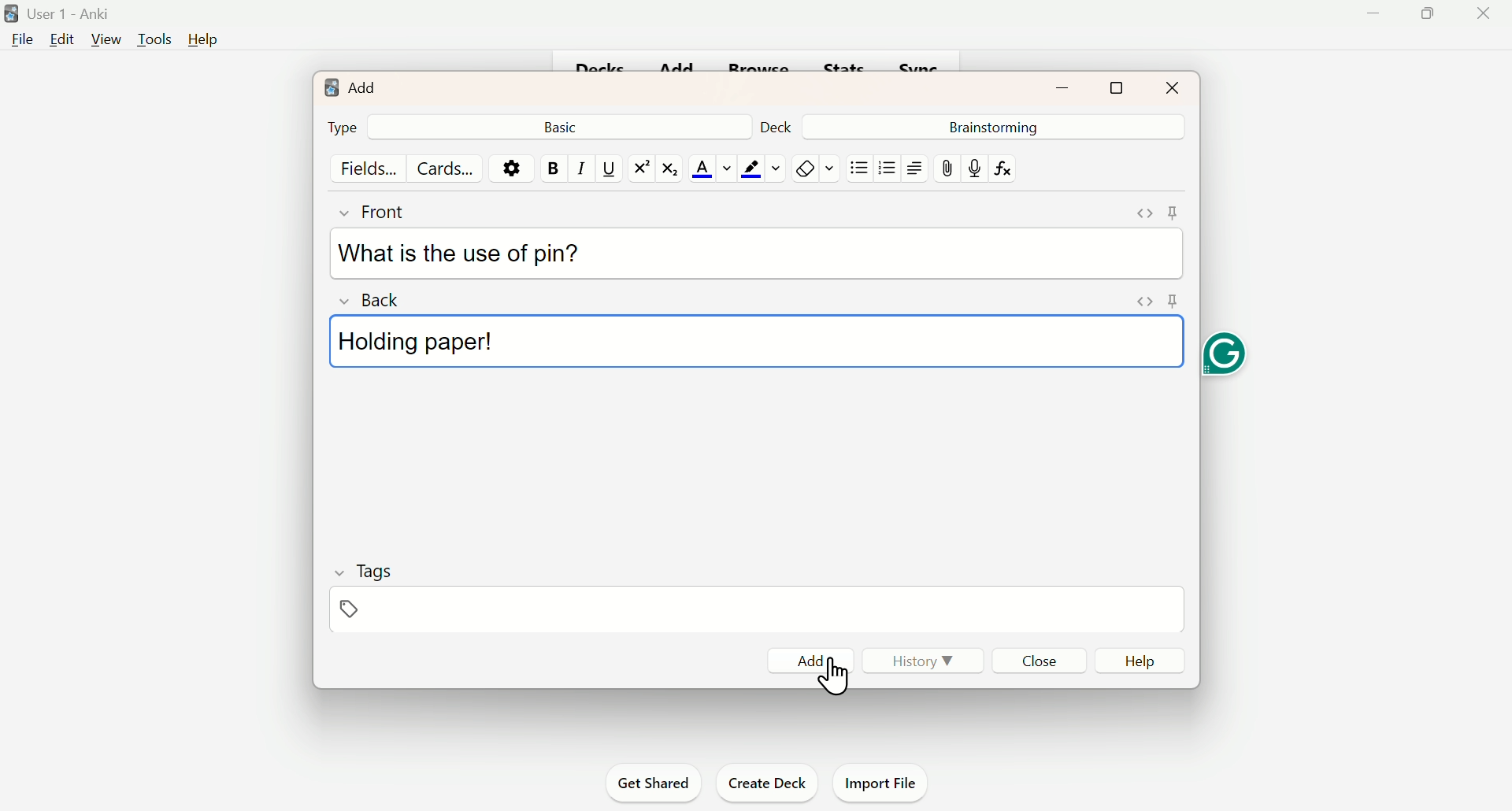  Describe the element at coordinates (458, 254) in the screenshot. I see `What is the use of pin?` at that location.